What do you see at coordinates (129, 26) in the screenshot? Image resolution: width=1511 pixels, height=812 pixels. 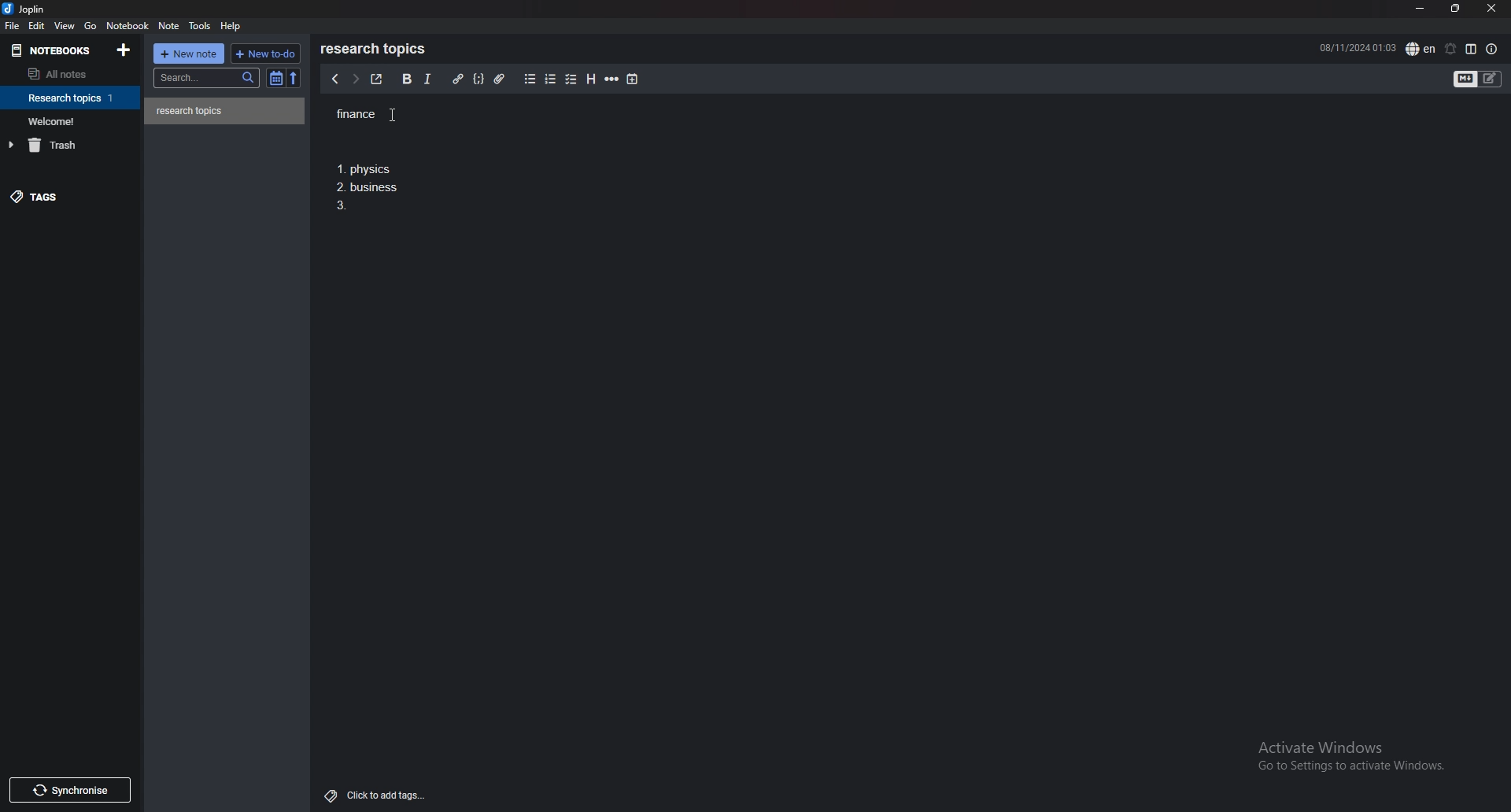 I see `notebook` at bounding box center [129, 26].